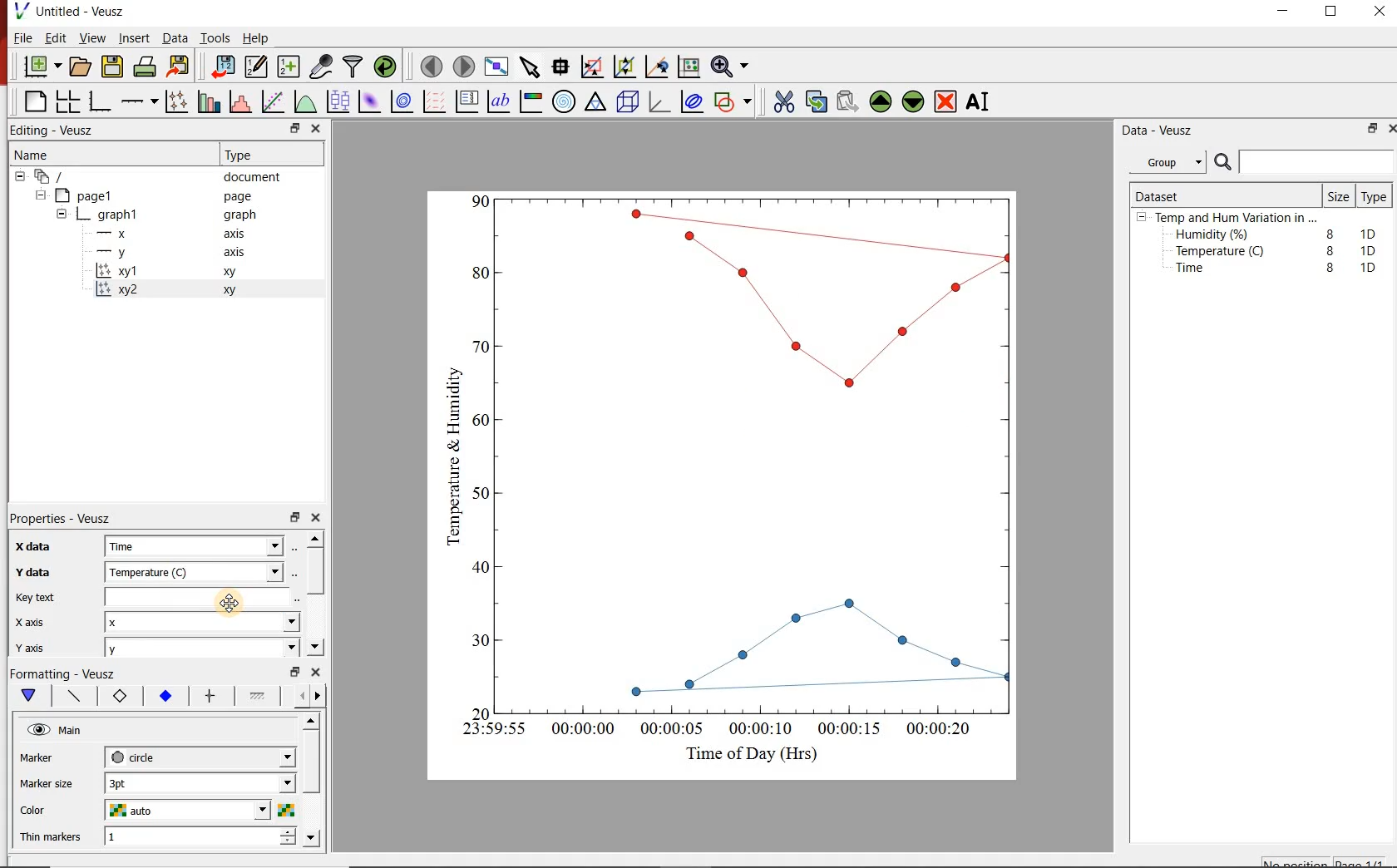 The width and height of the screenshot is (1397, 868). What do you see at coordinates (1296, 862) in the screenshot?
I see `No position` at bounding box center [1296, 862].